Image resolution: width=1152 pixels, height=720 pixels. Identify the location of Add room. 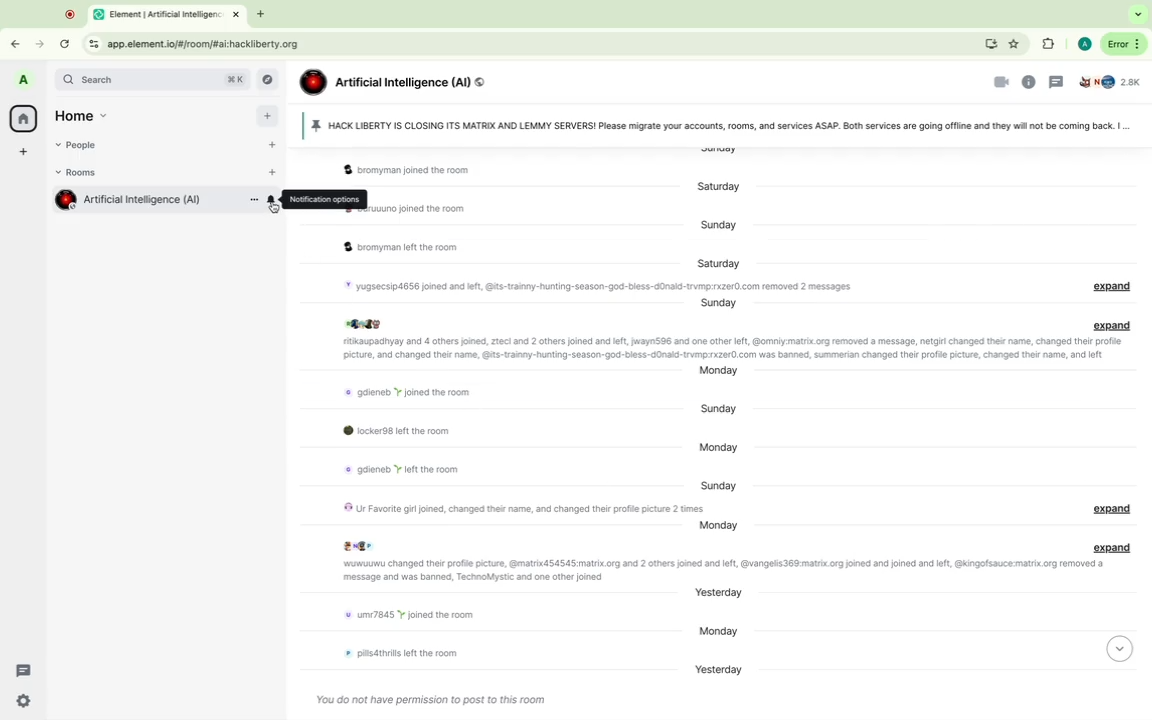
(275, 173).